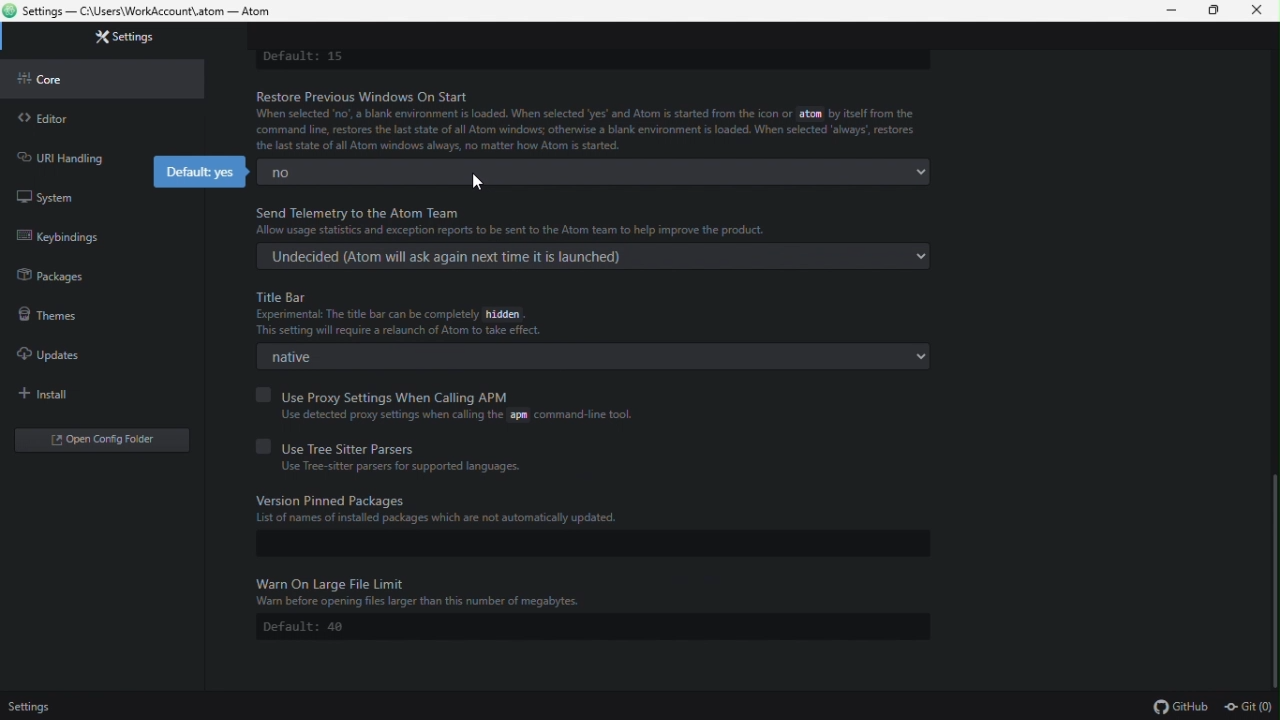 This screenshot has height=720, width=1280. I want to click on core , so click(89, 80).